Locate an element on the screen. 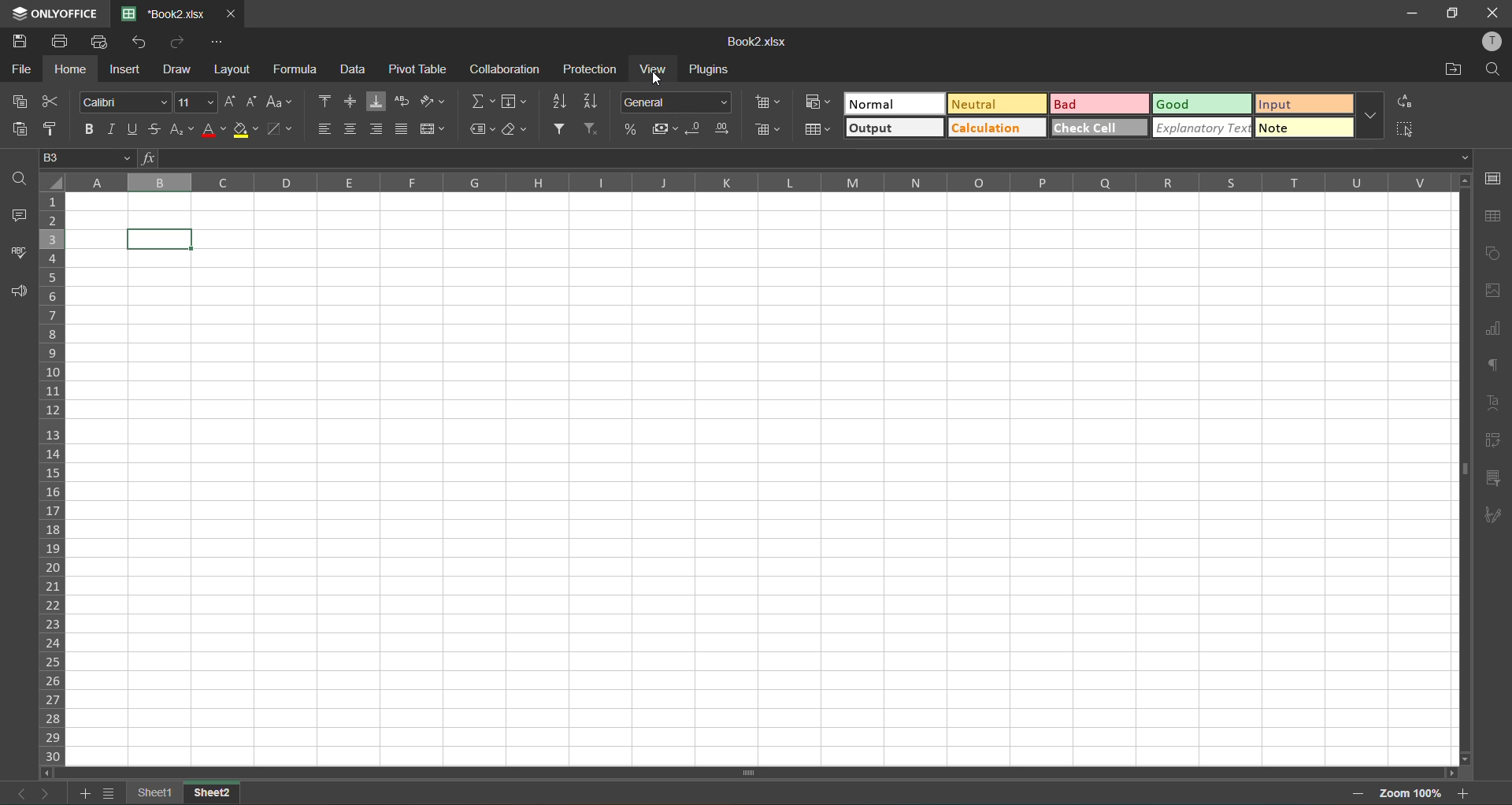 Image resolution: width=1512 pixels, height=805 pixels. text is located at coordinates (1494, 400).